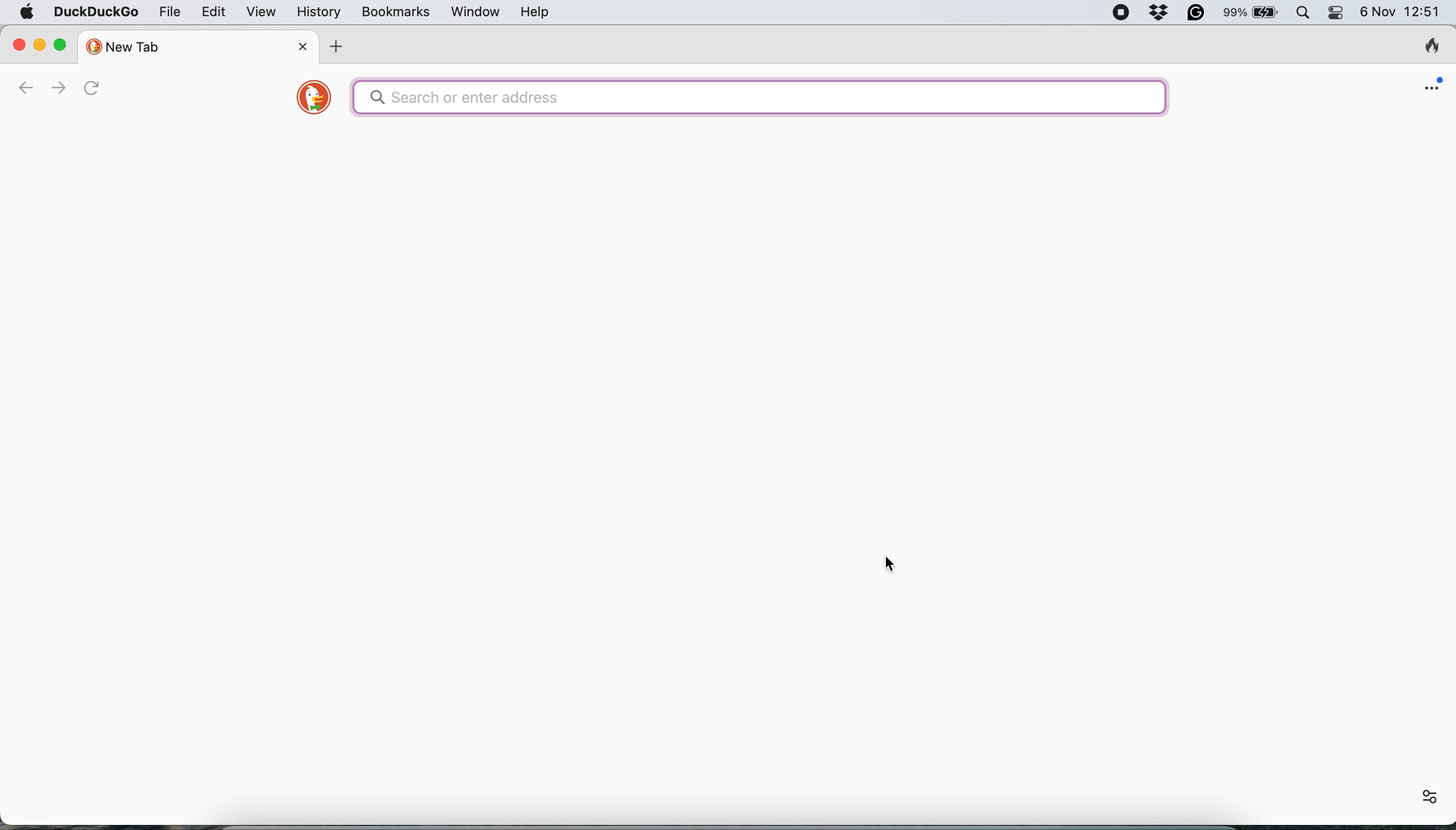  I want to click on view, so click(257, 14).